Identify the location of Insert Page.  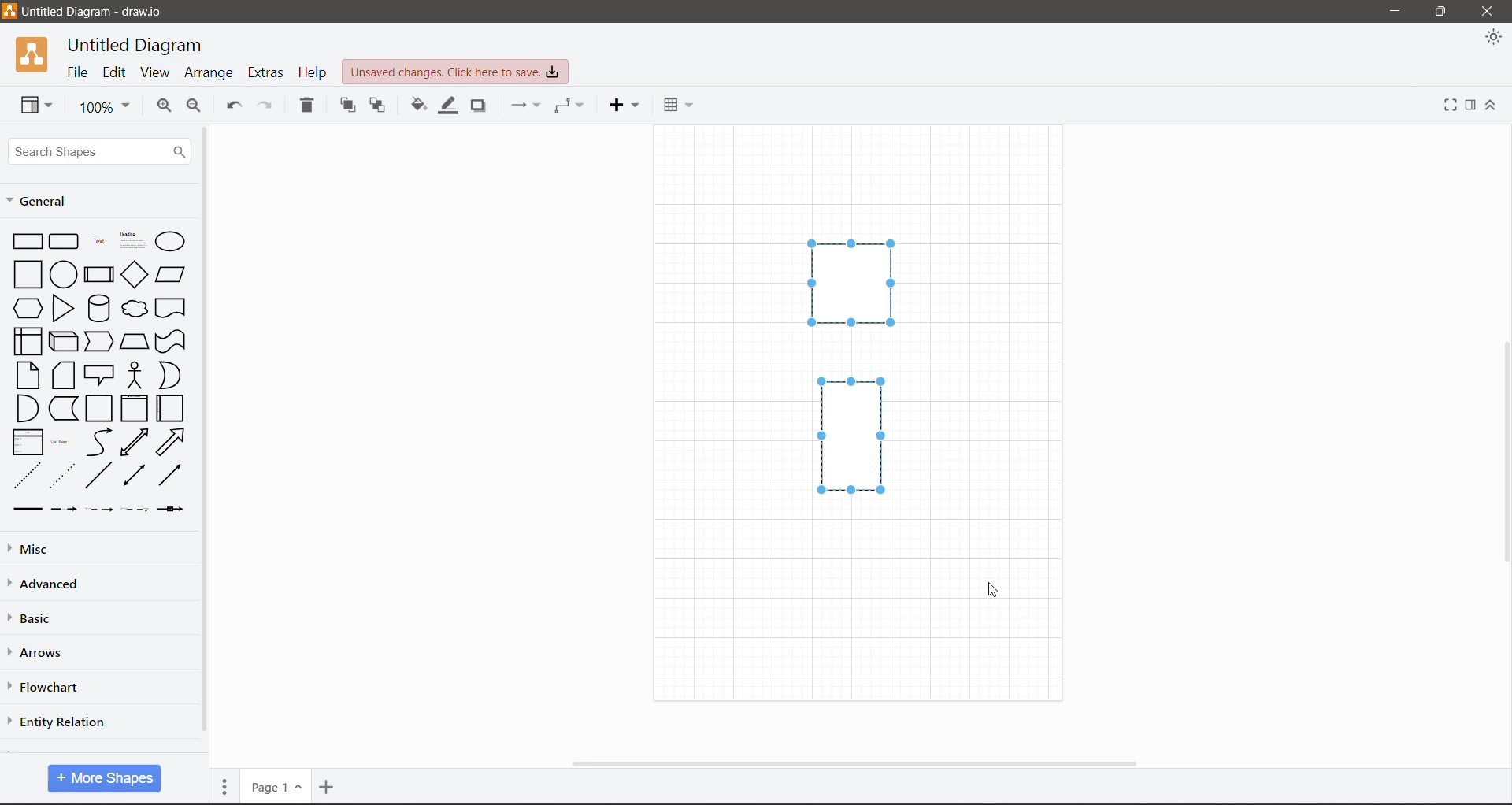
(328, 786).